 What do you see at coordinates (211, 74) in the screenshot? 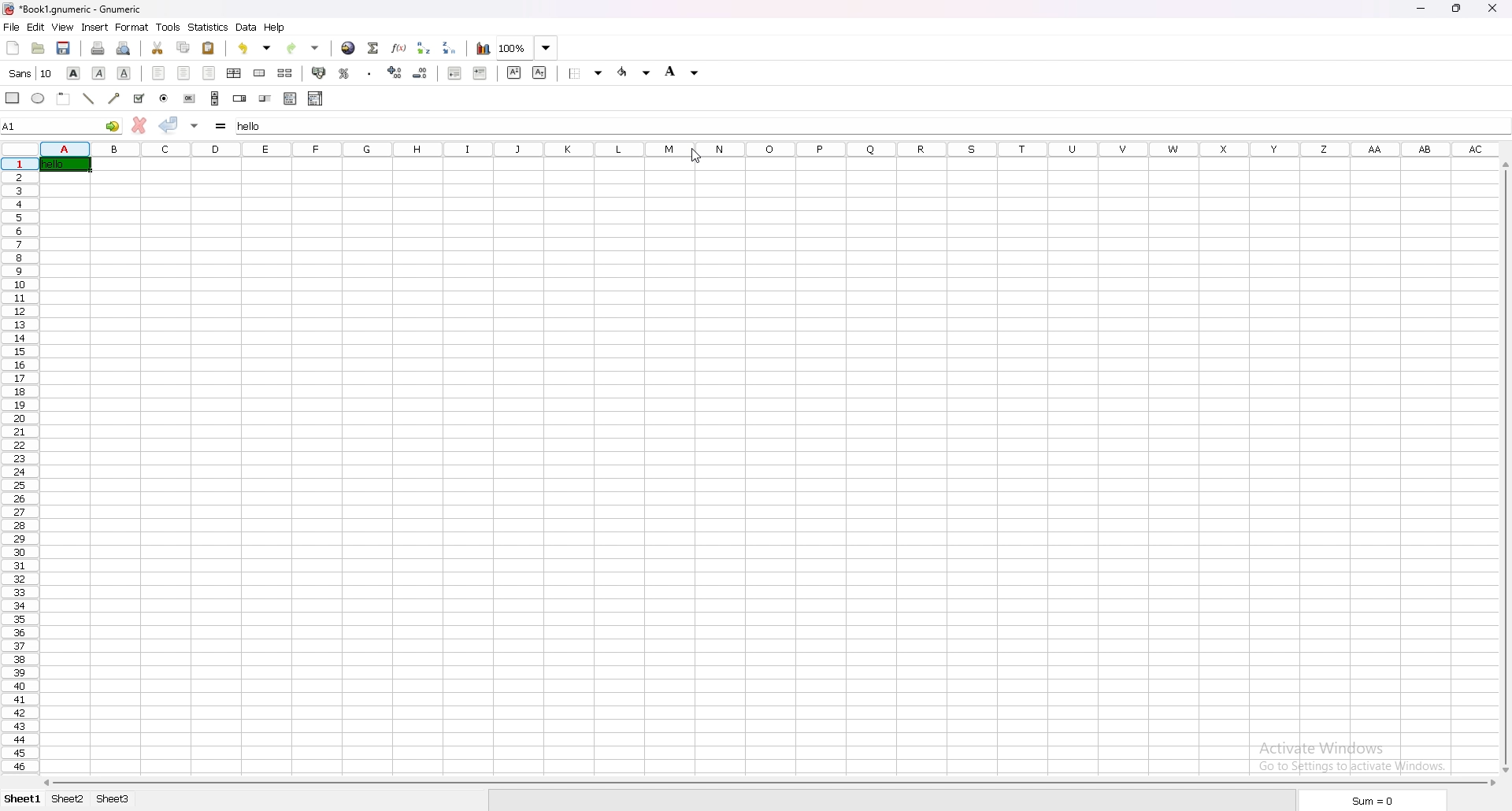
I see `right align` at bounding box center [211, 74].